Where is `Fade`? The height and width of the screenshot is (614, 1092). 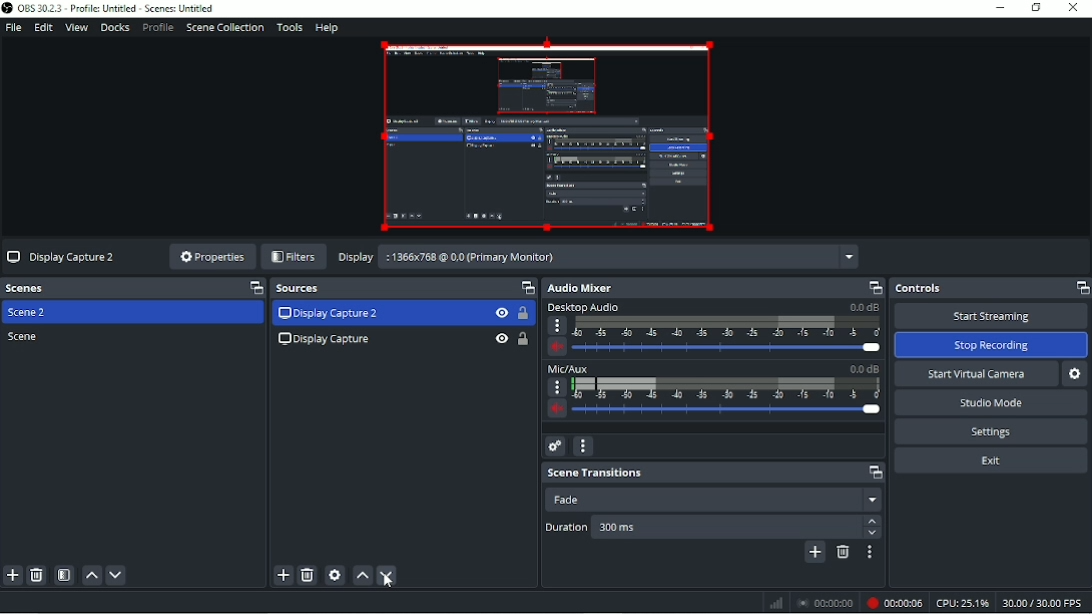
Fade is located at coordinates (714, 499).